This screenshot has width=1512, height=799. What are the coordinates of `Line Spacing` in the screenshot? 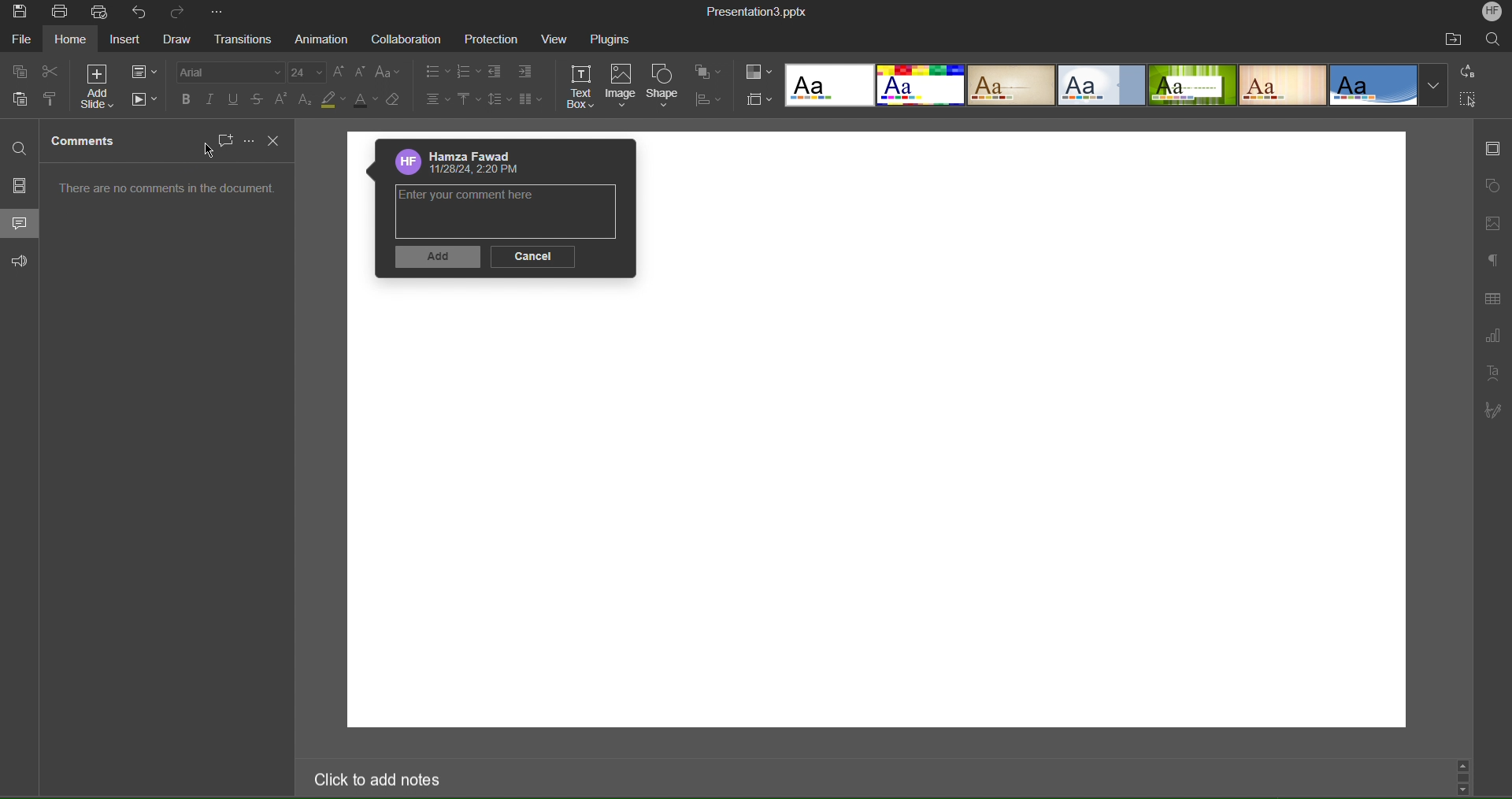 It's located at (500, 100).